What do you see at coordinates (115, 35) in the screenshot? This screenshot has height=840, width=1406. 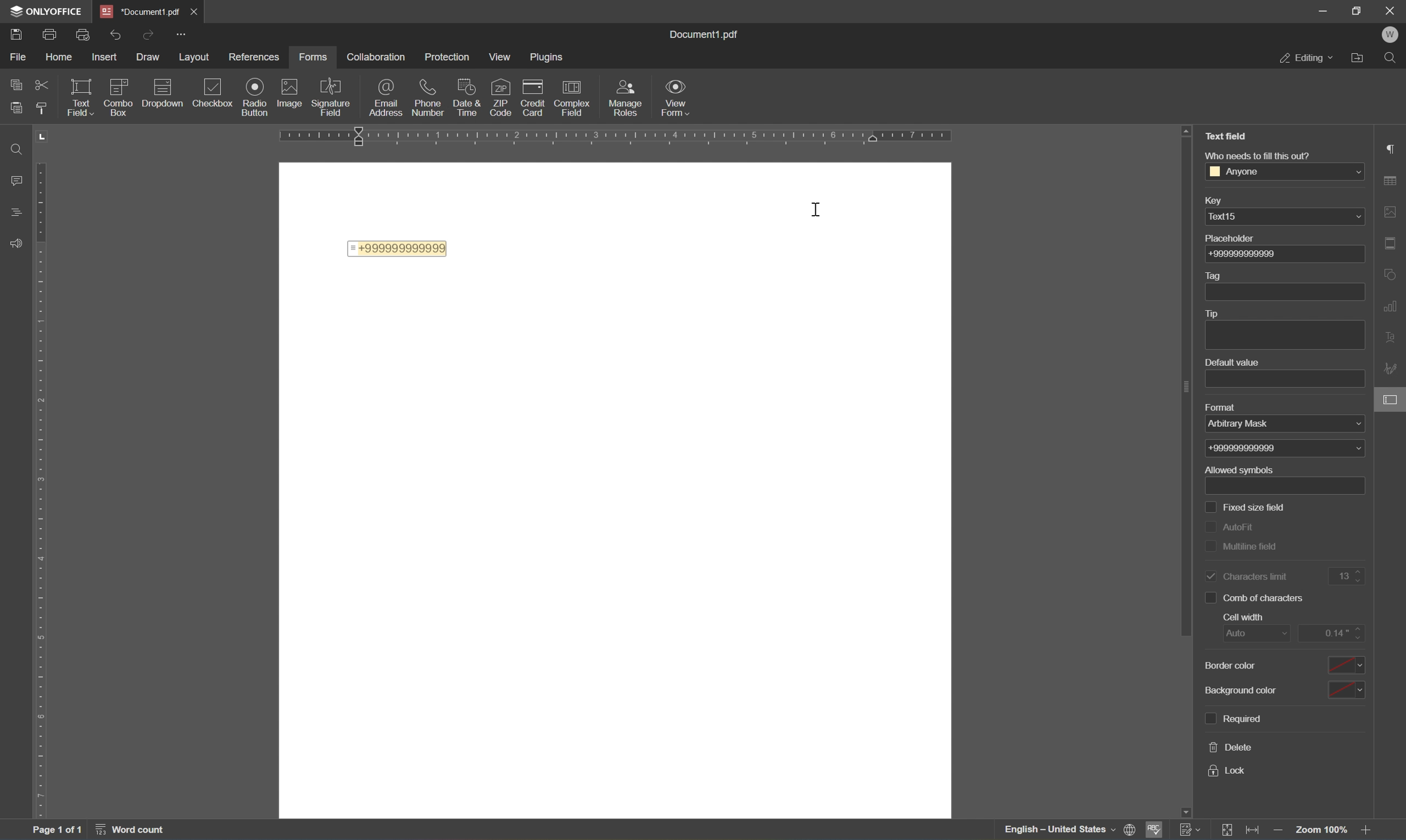 I see `undo` at bounding box center [115, 35].